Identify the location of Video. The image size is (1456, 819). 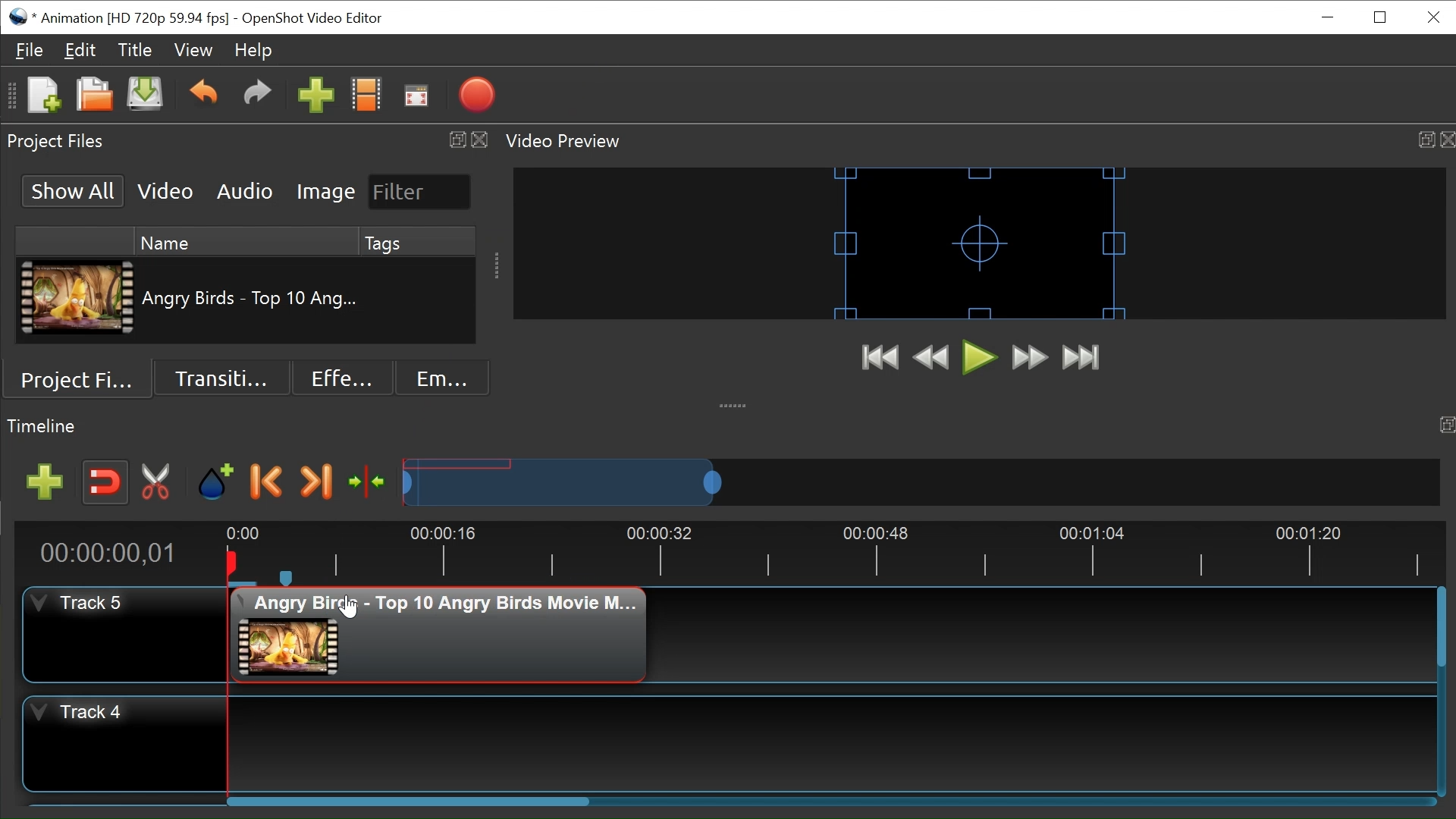
(163, 192).